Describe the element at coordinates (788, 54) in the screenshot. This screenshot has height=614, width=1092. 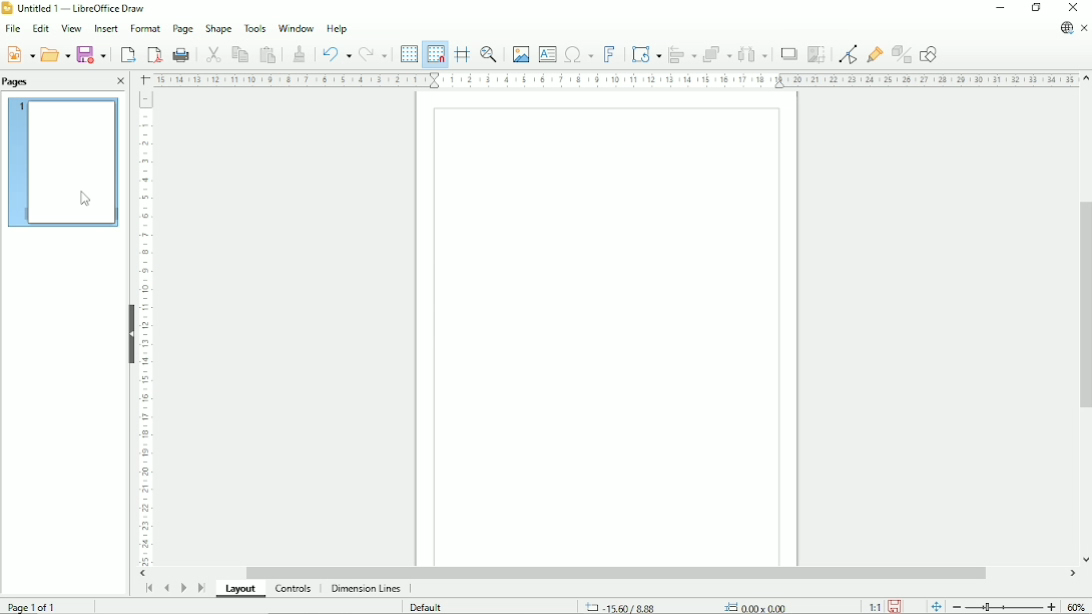
I see `Shadow` at that location.